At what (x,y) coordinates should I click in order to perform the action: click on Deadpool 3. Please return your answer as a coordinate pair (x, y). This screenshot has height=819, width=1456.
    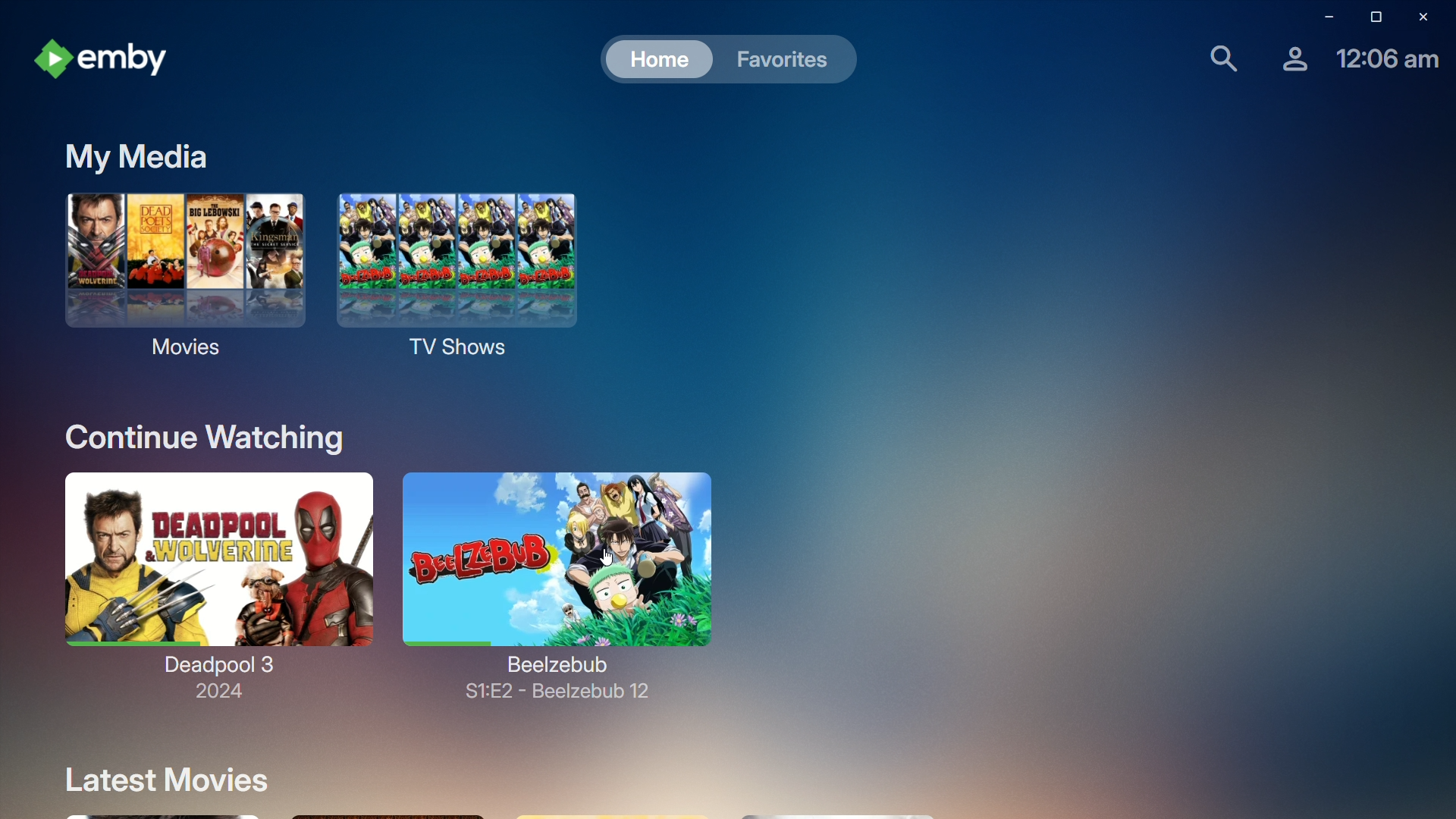
    Looking at the image, I should click on (211, 567).